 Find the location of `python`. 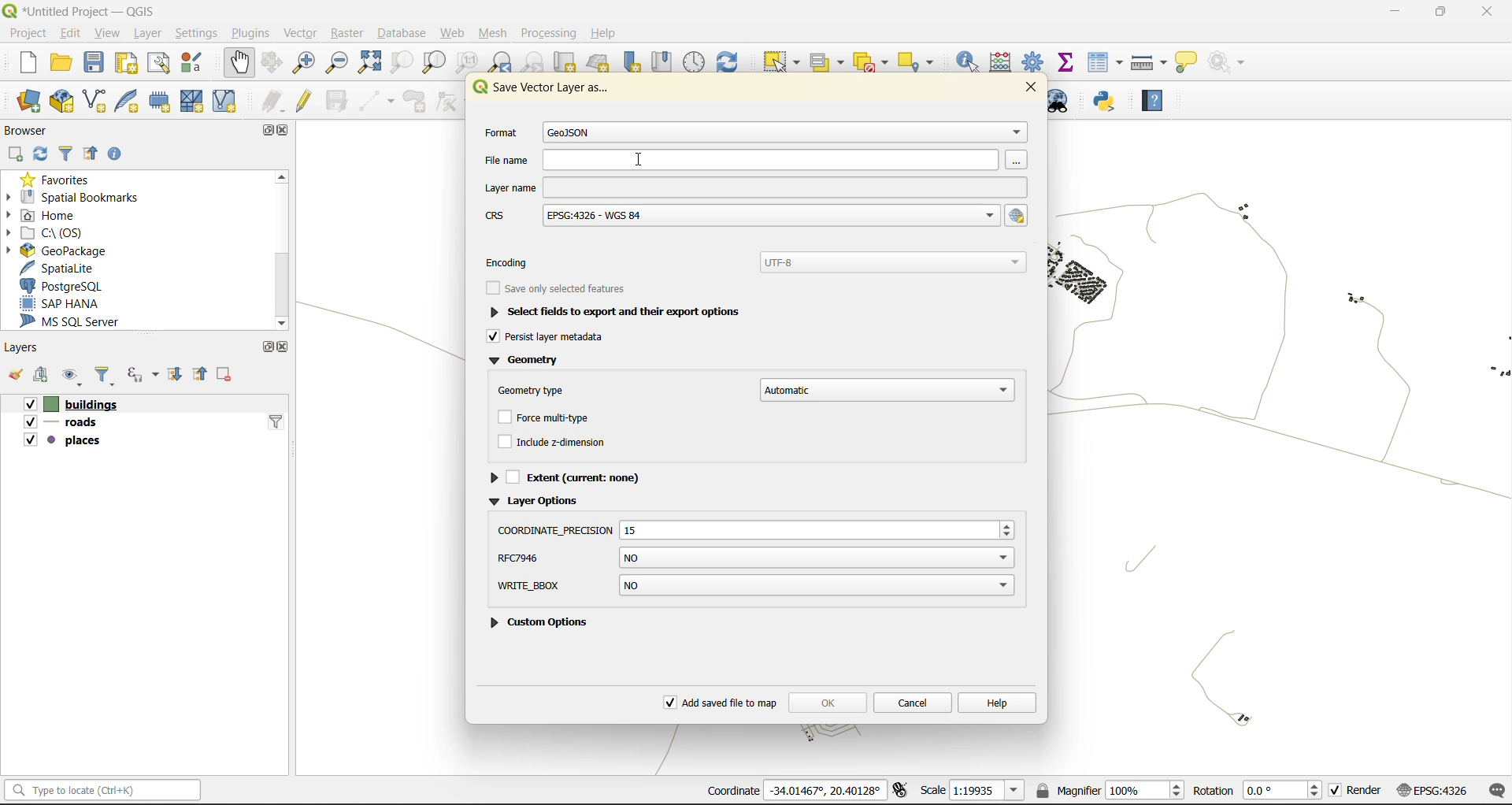

python is located at coordinates (1109, 101).